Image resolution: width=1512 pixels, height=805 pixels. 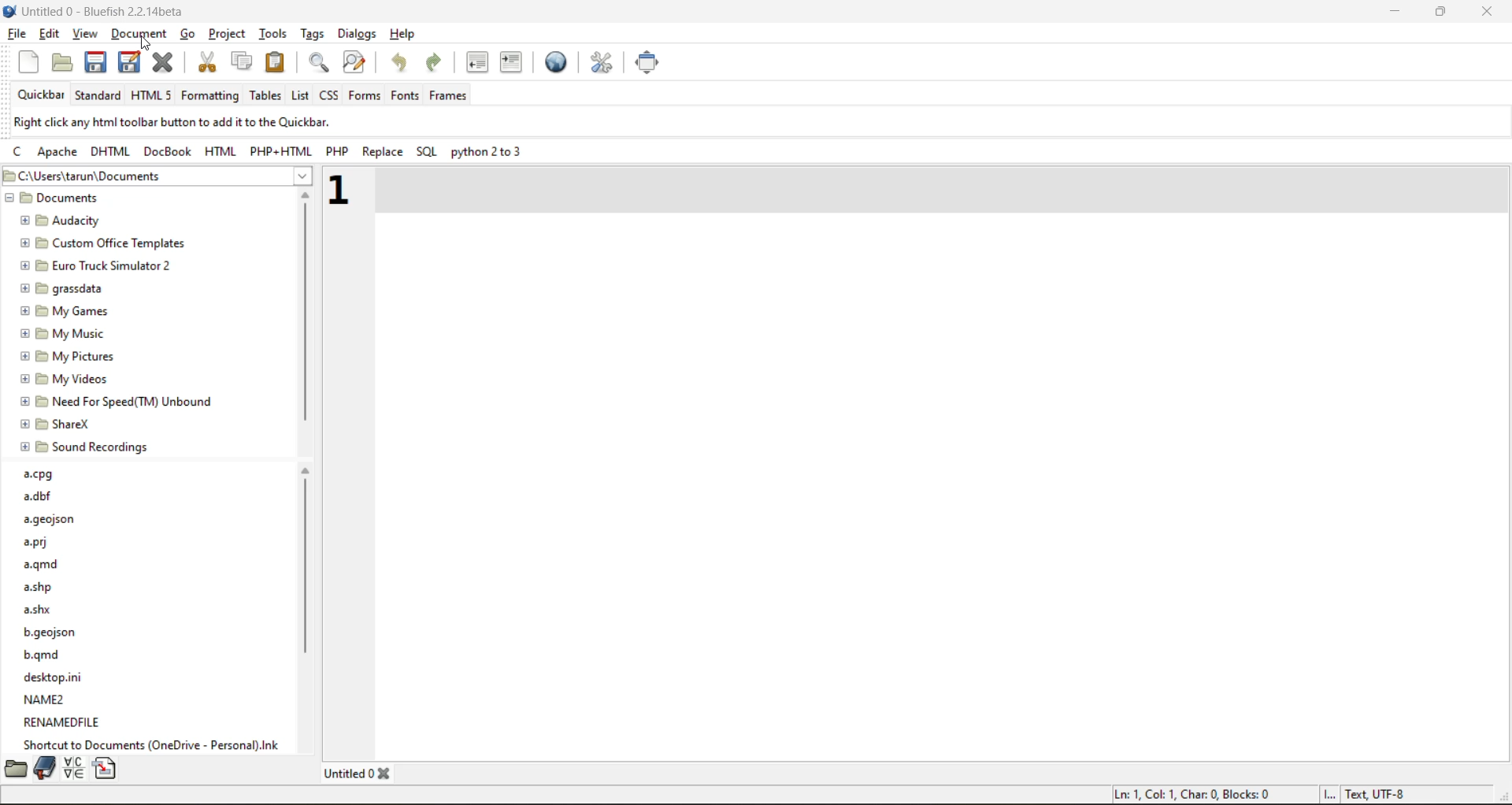 What do you see at coordinates (558, 63) in the screenshot?
I see `preview in browser` at bounding box center [558, 63].